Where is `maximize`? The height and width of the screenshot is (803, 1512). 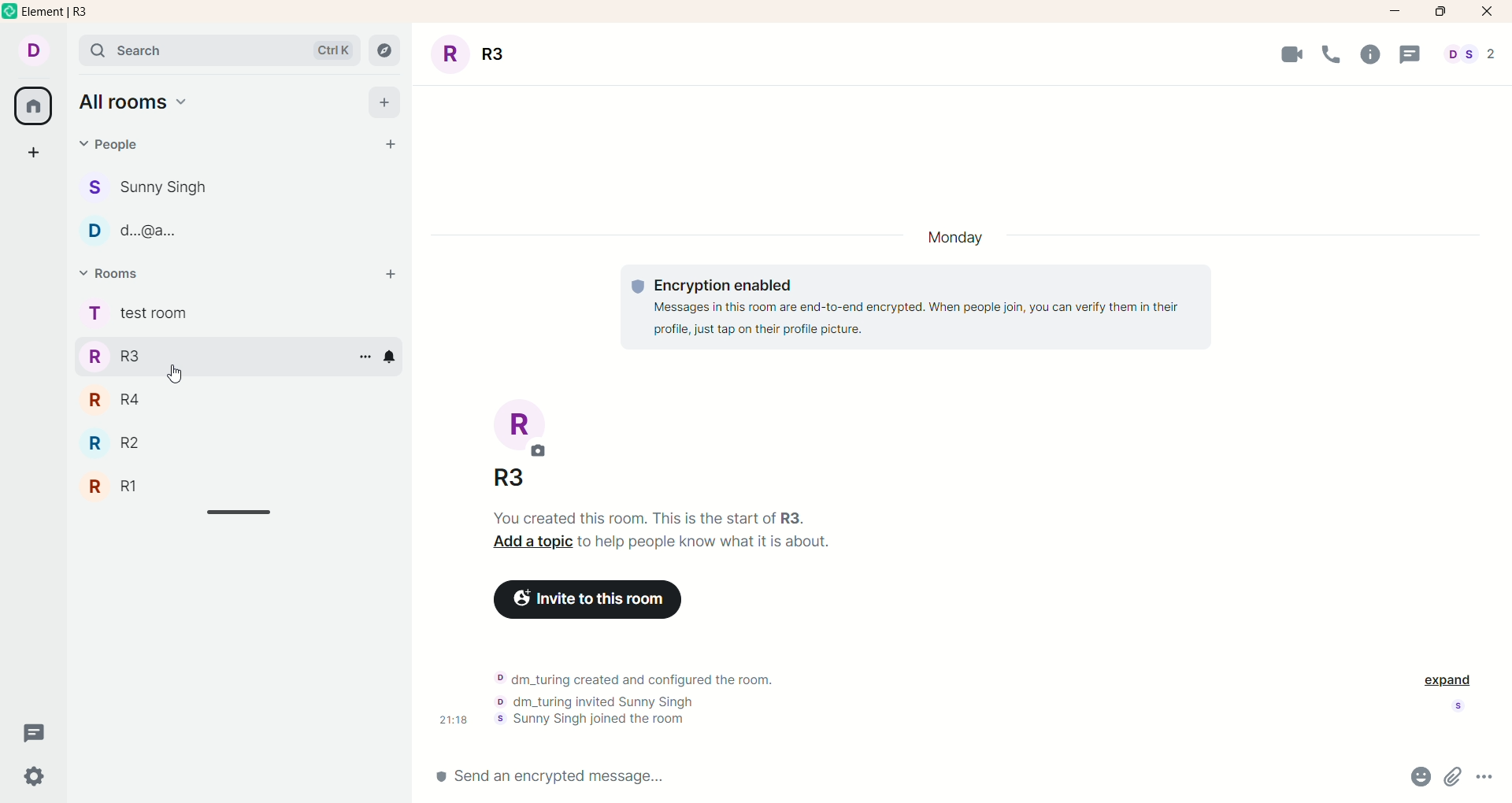
maximize is located at coordinates (1438, 12).